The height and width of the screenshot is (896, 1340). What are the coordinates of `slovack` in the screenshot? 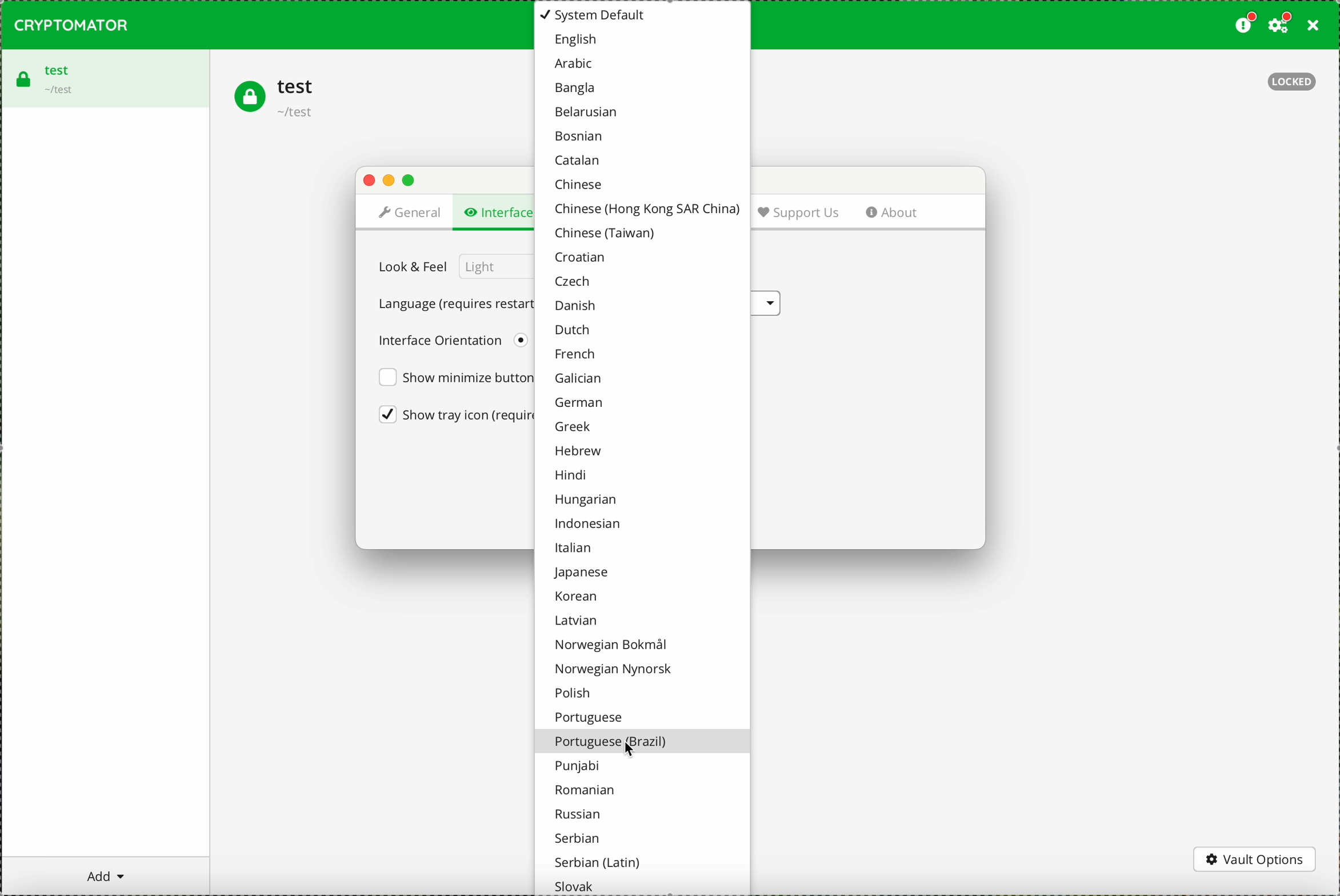 It's located at (578, 887).